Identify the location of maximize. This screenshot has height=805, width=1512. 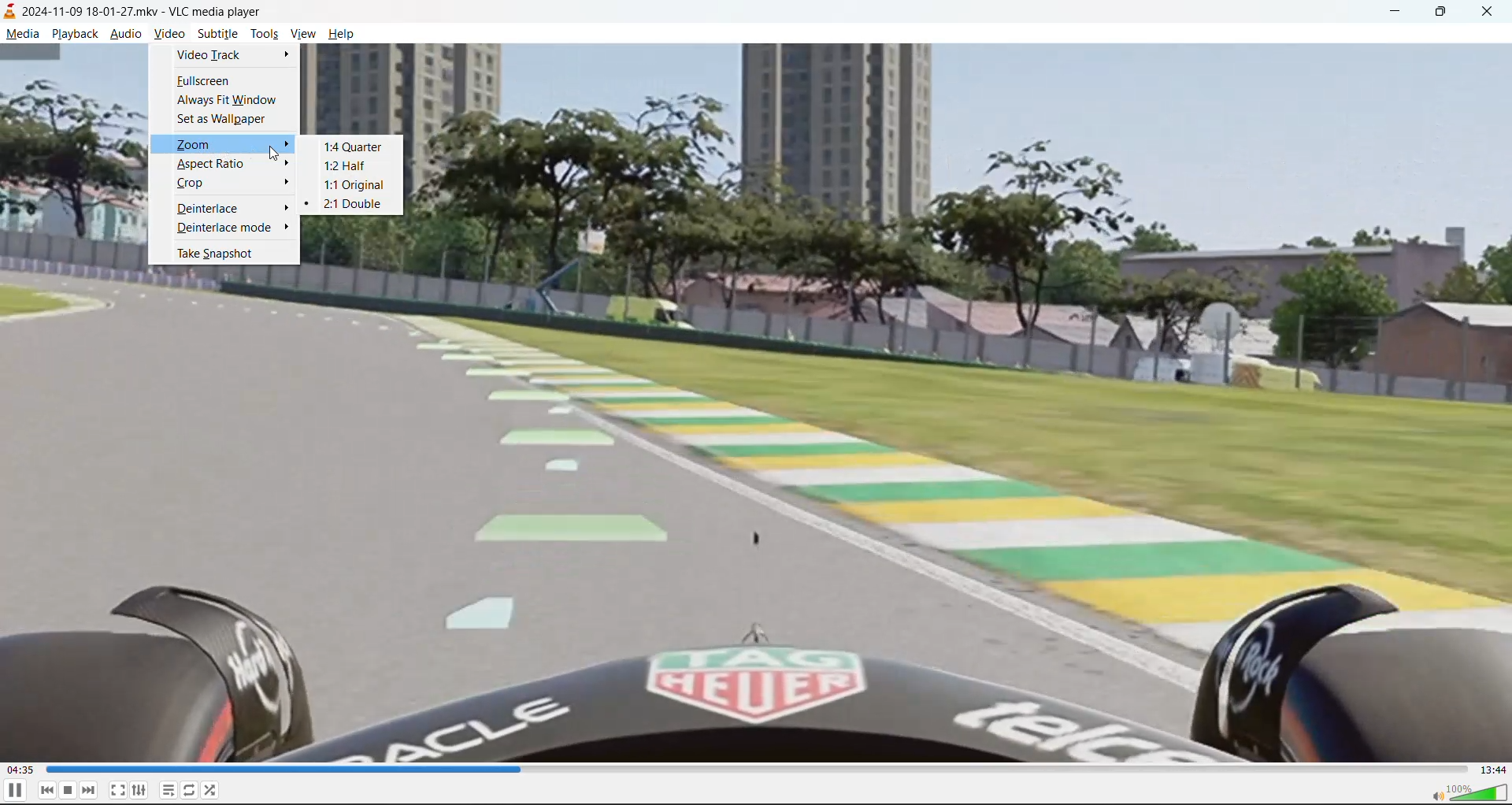
(1441, 13).